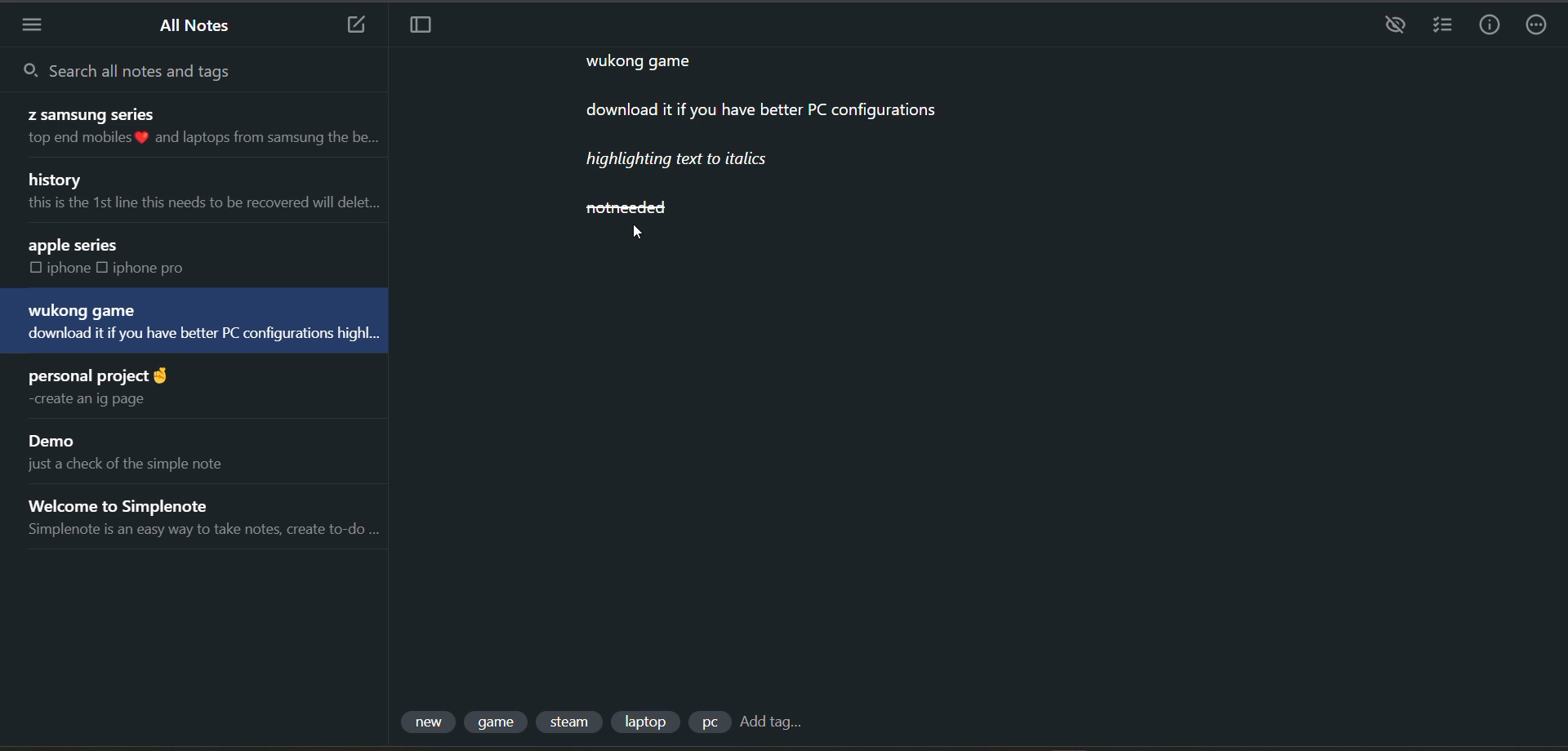 The image size is (1568, 751). I want to click on note title and preview, so click(204, 520).